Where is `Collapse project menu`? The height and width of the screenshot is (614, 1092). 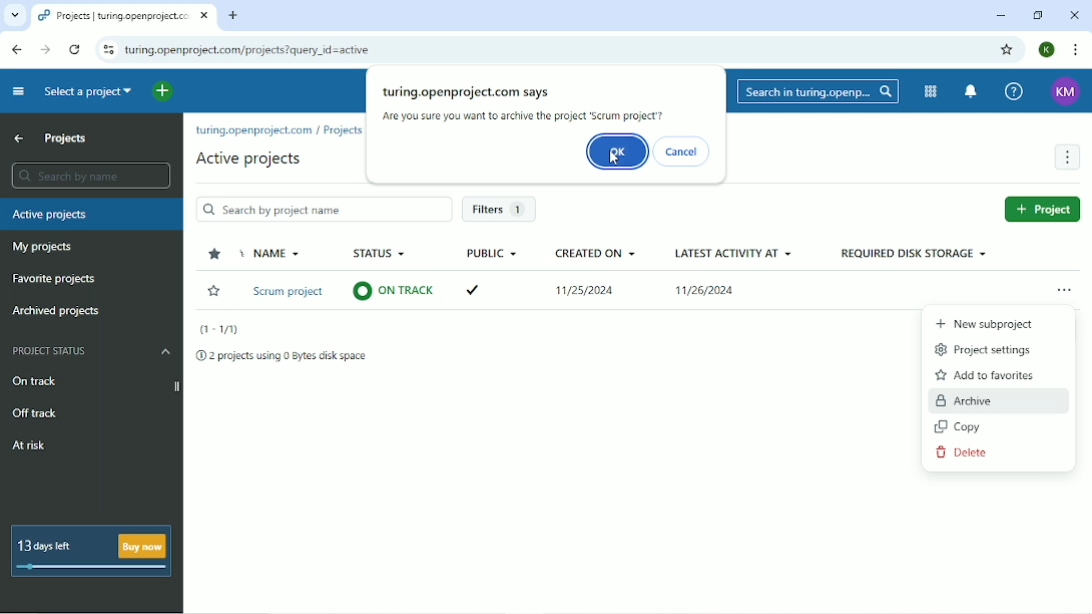
Collapse project menu is located at coordinates (19, 92).